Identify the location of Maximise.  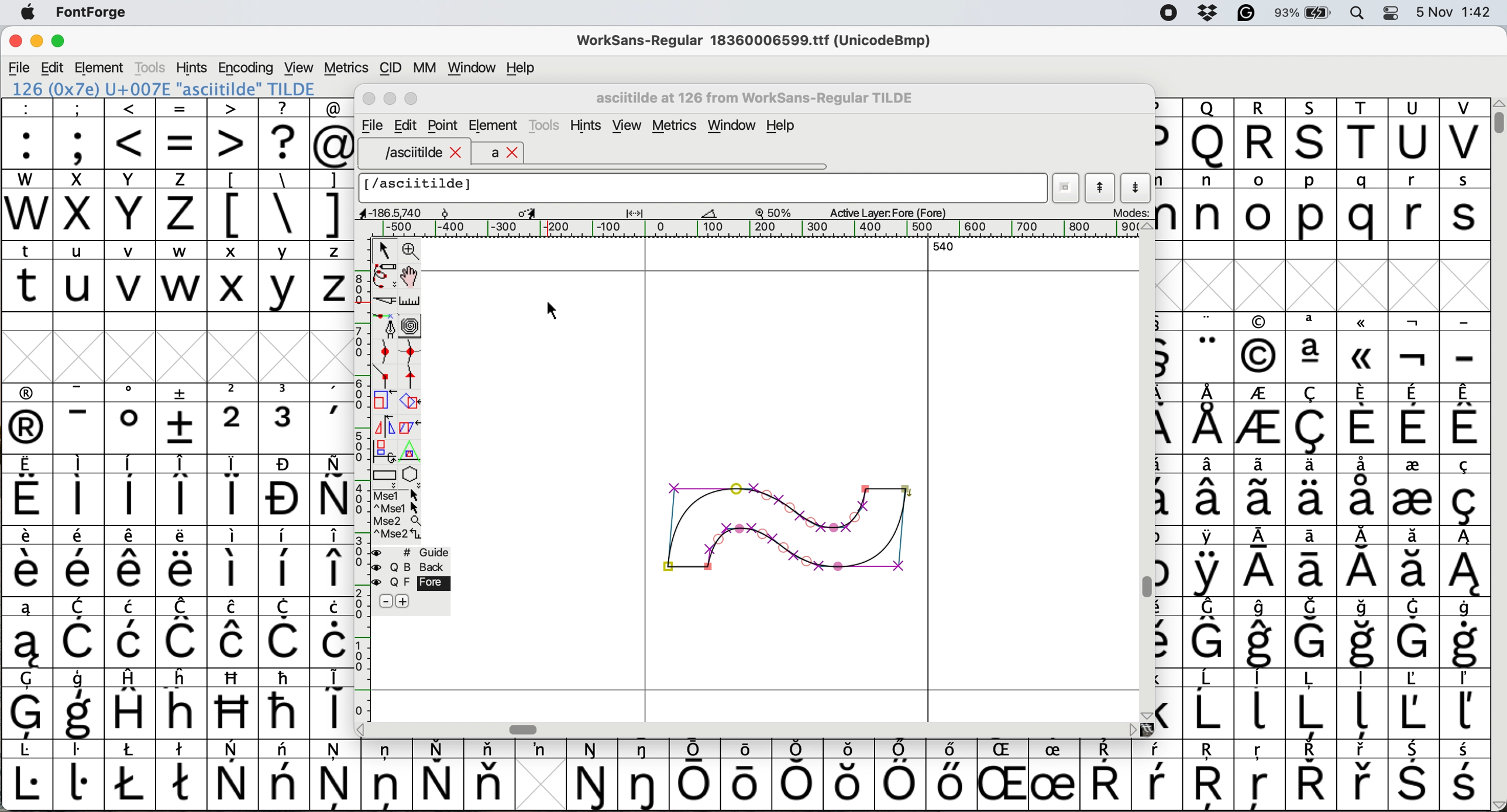
(414, 99).